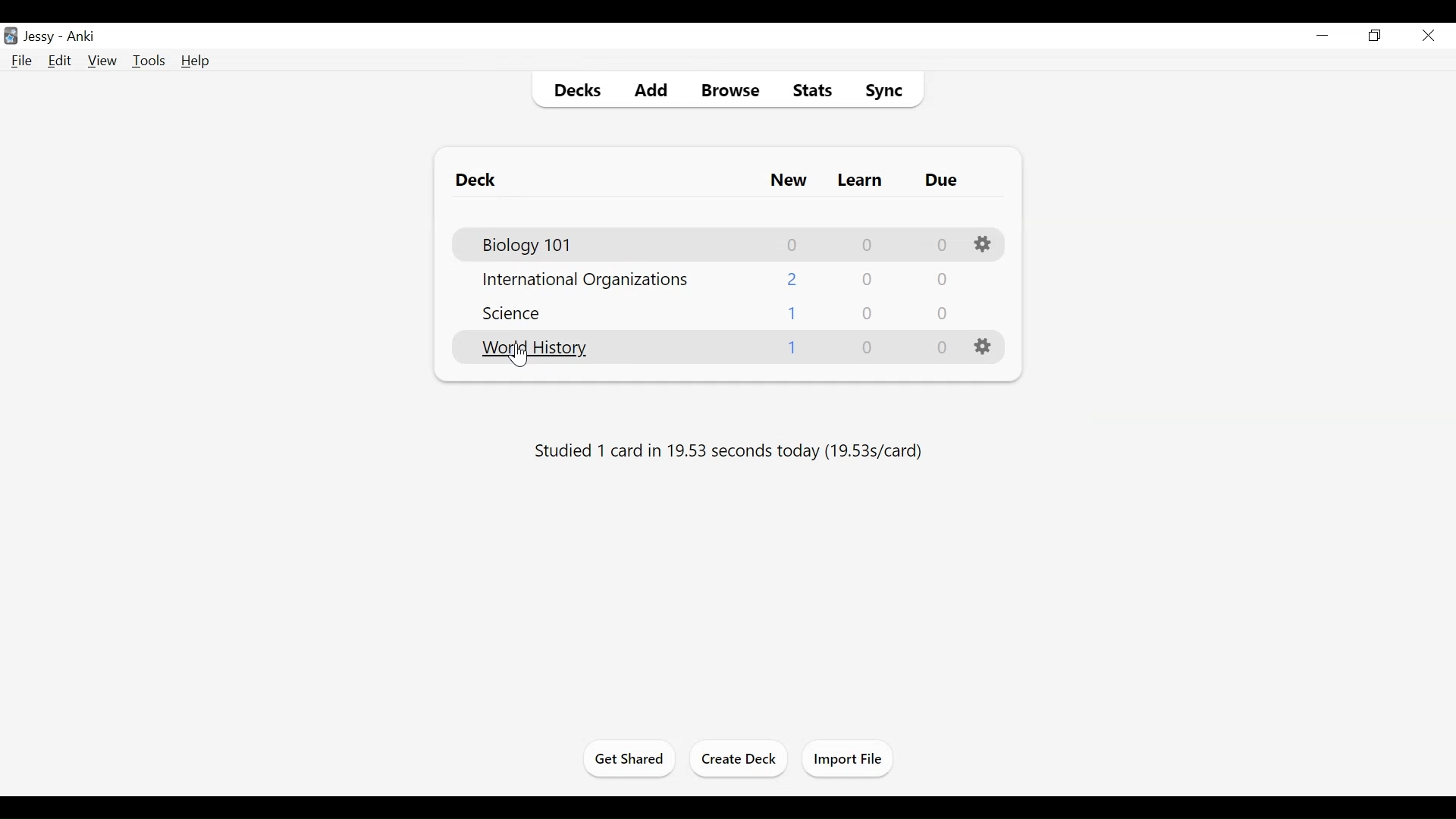 This screenshot has width=1456, height=819. What do you see at coordinates (984, 347) in the screenshot?
I see `Options` at bounding box center [984, 347].